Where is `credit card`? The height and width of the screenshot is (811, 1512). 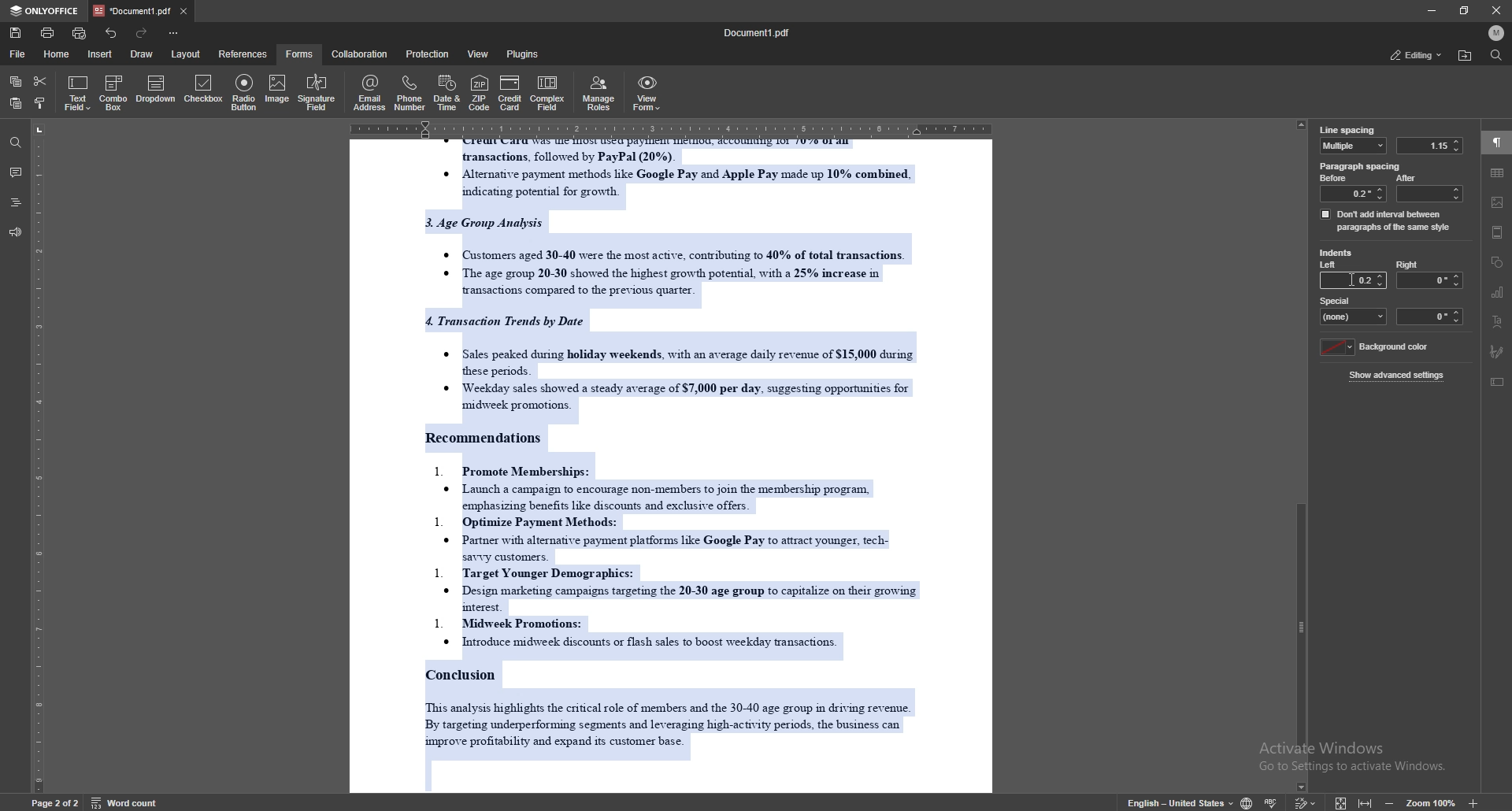
credit card is located at coordinates (510, 92).